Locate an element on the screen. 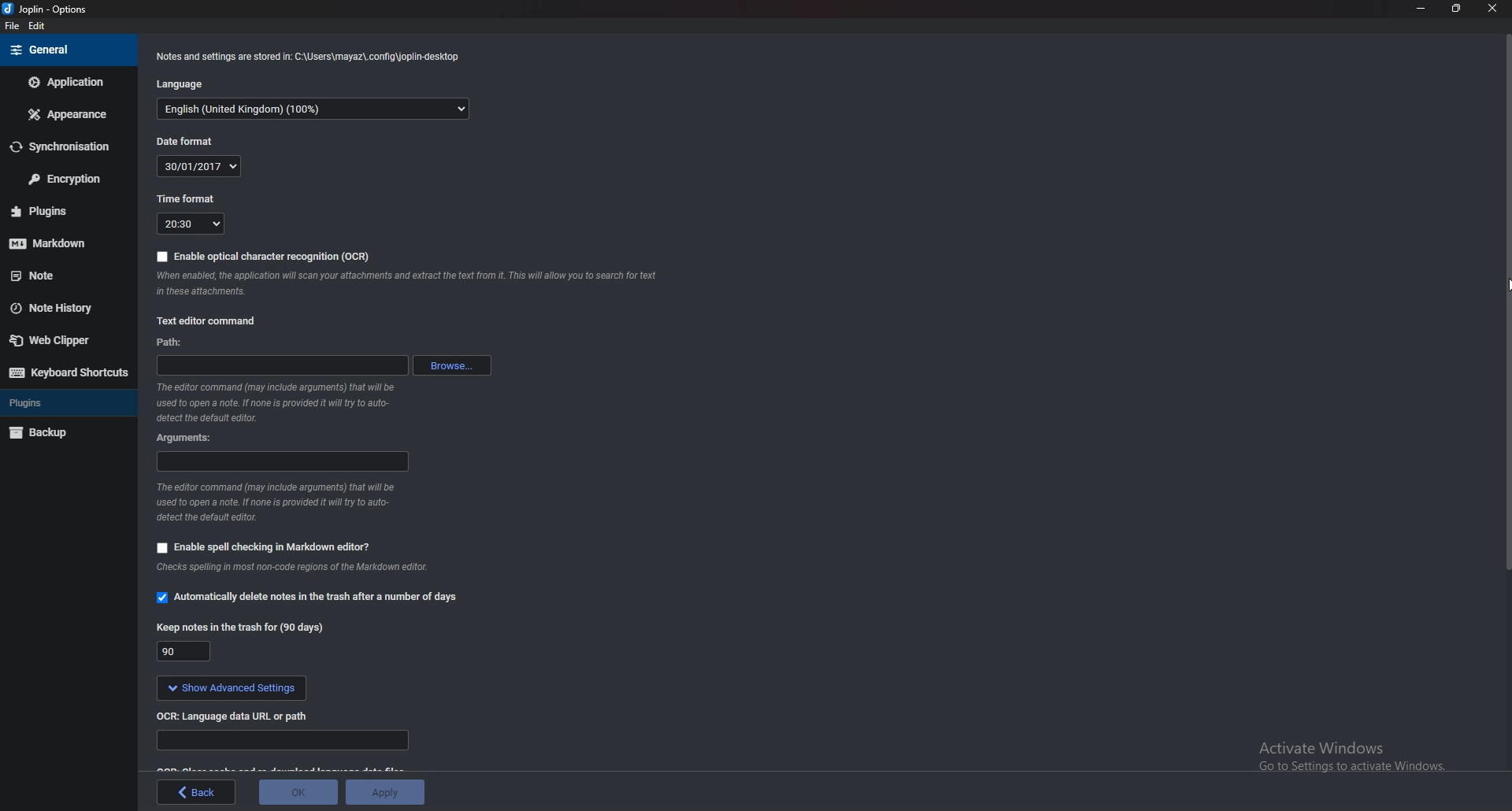 The height and width of the screenshot is (811, 1512). Arguments is located at coordinates (190, 438).